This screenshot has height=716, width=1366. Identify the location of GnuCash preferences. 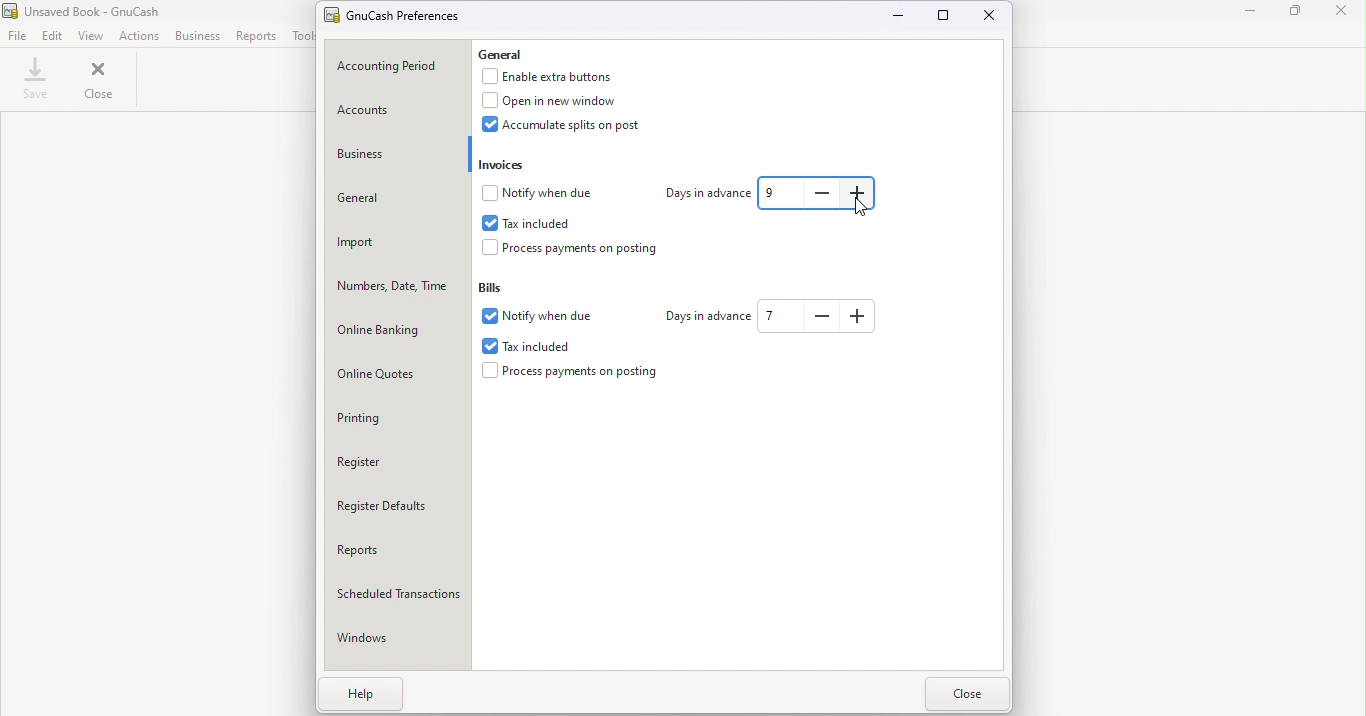
(397, 15).